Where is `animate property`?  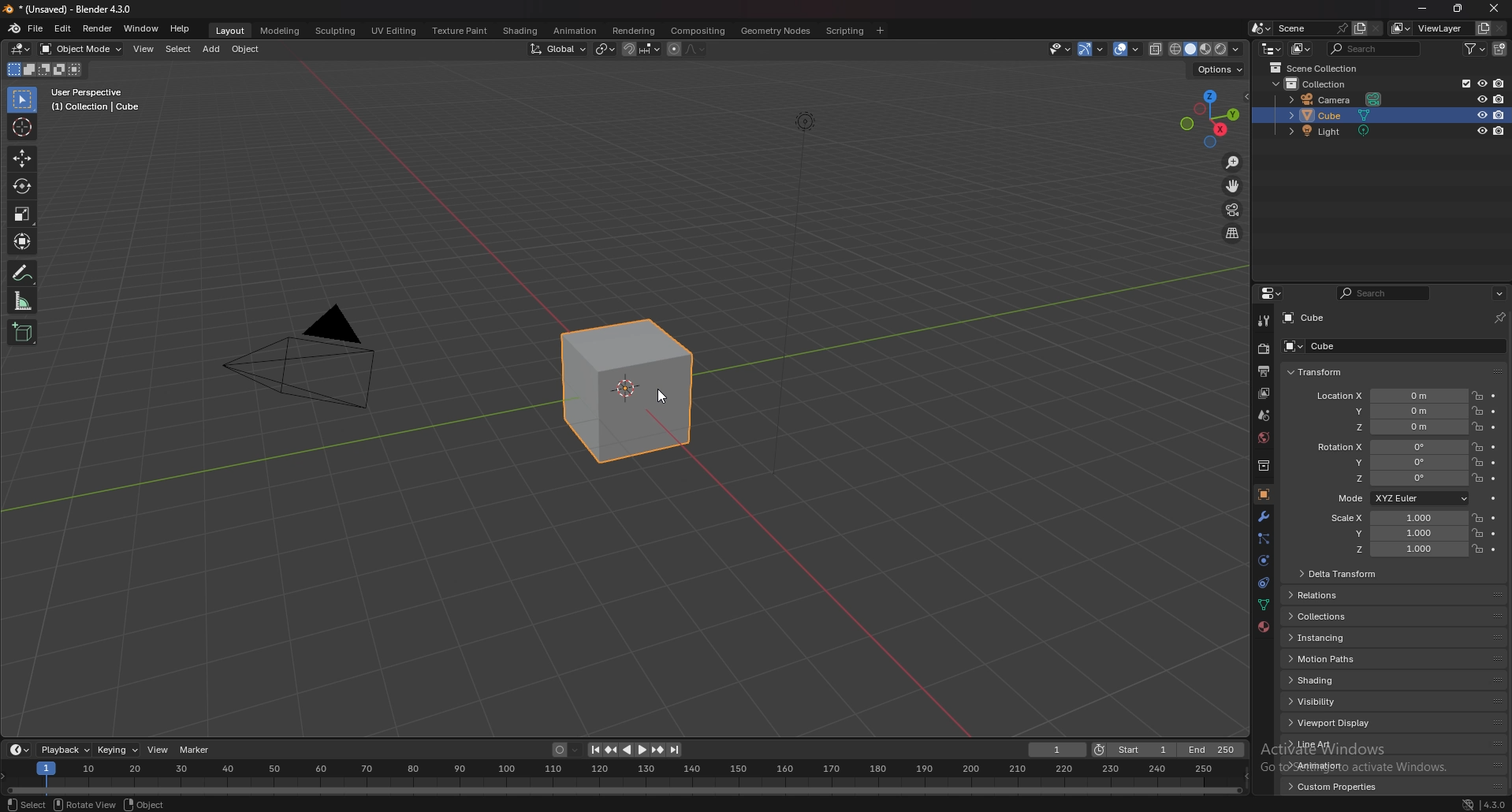
animate property is located at coordinates (1494, 411).